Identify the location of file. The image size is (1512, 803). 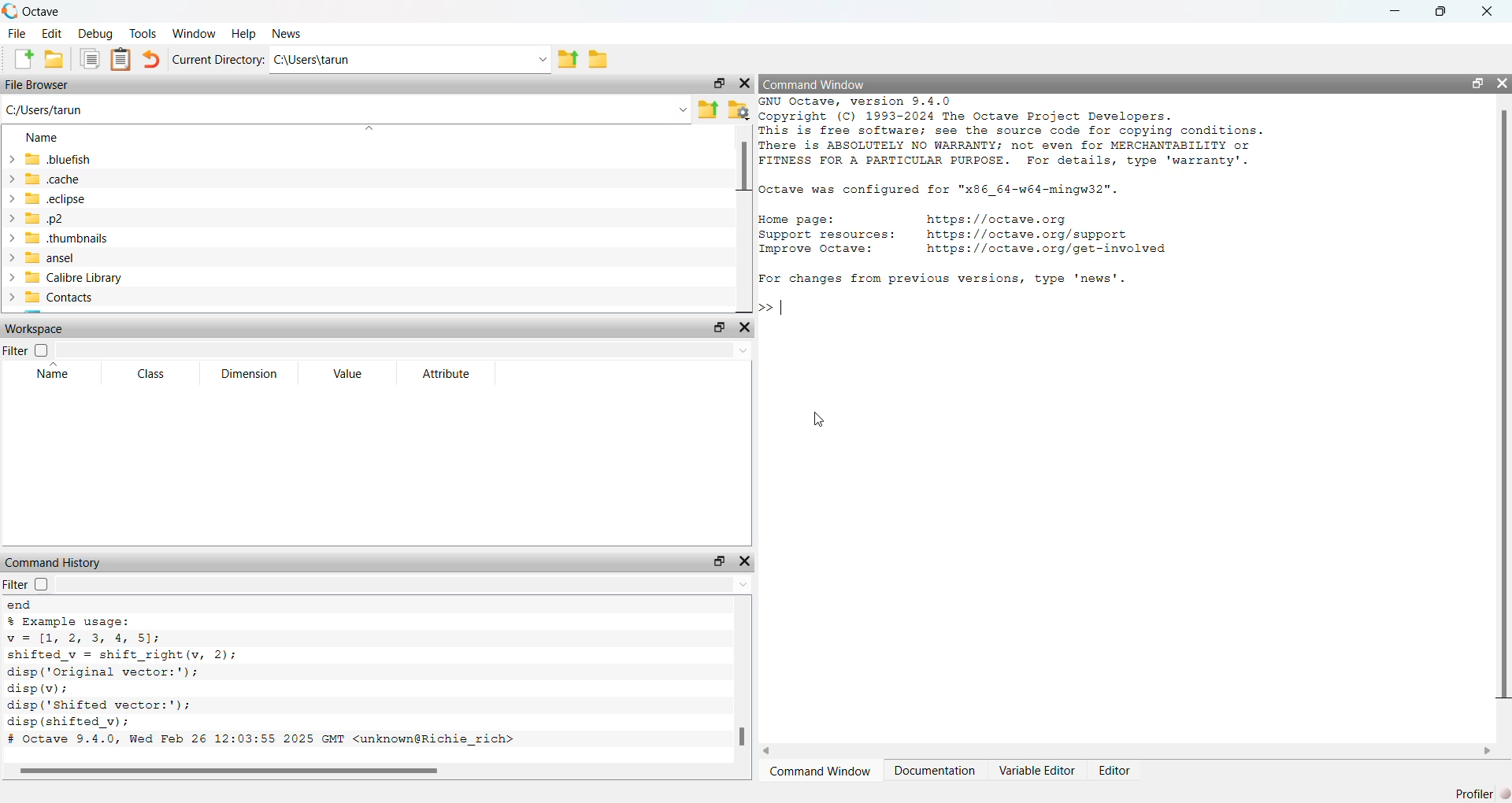
(17, 33).